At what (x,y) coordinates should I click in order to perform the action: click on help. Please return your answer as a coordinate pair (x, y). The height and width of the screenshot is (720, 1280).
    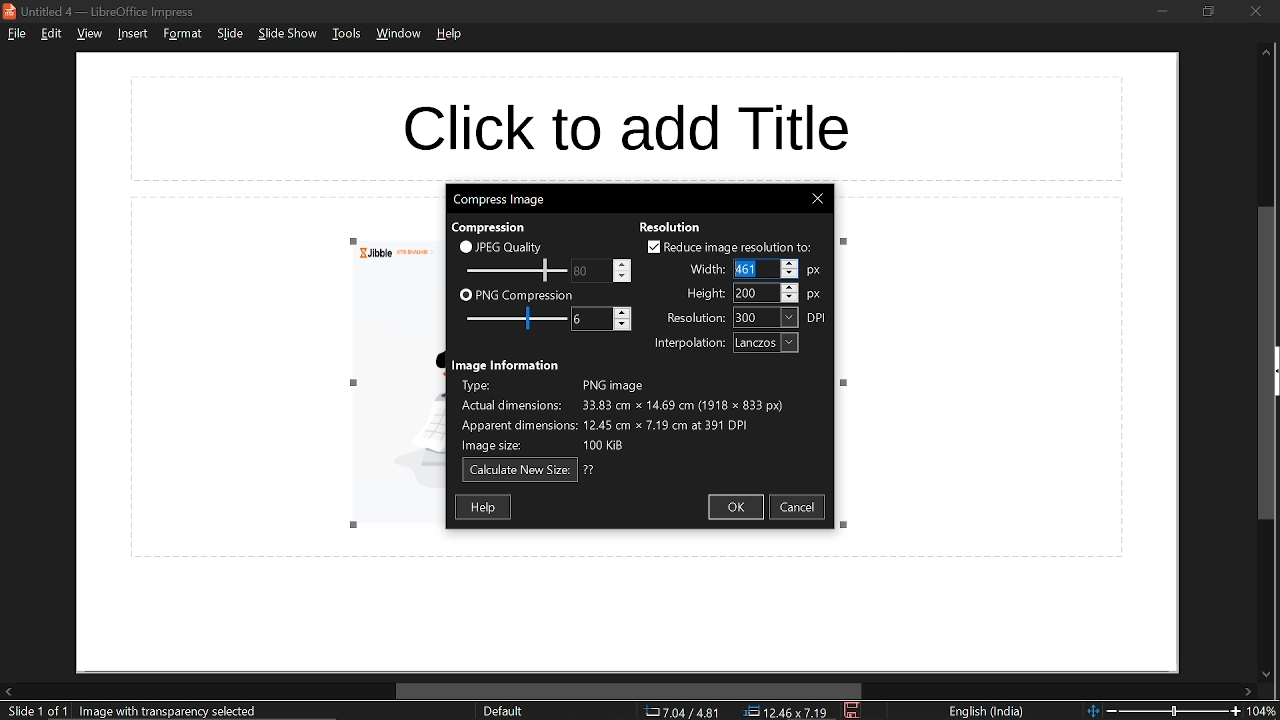
    Looking at the image, I should click on (484, 507).